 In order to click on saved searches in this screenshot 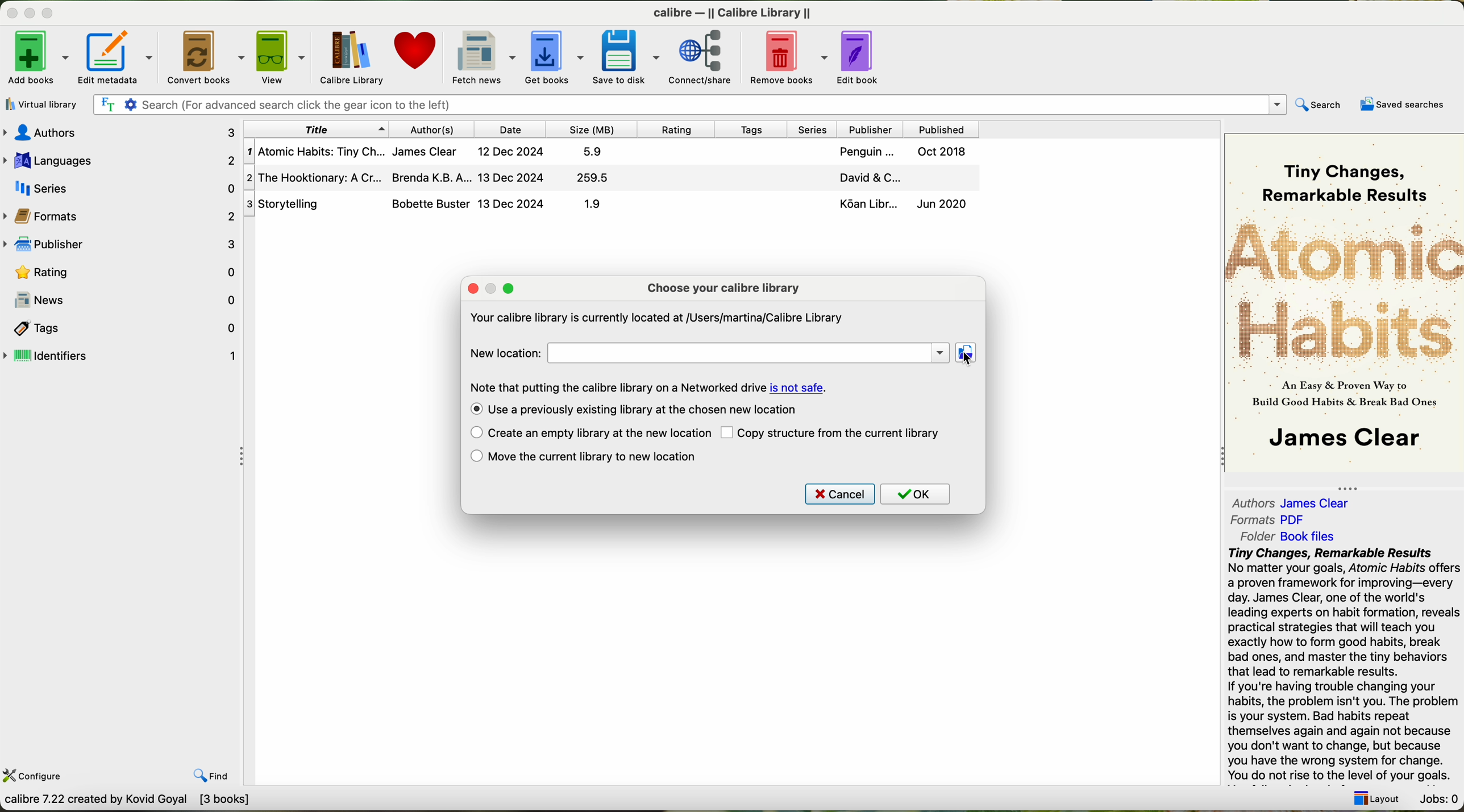, I will do `click(1400, 105)`.